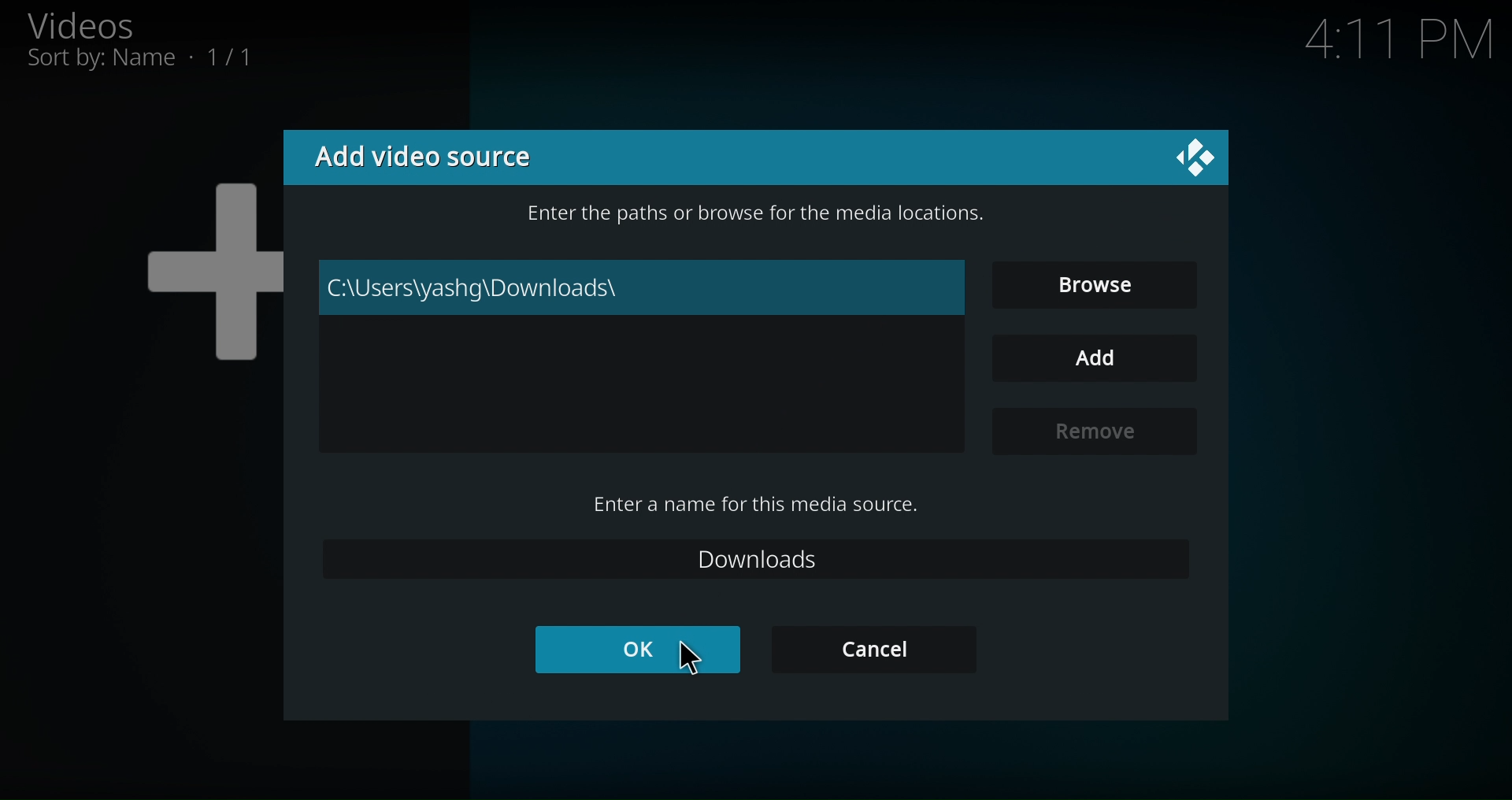 This screenshot has height=800, width=1512. Describe the element at coordinates (693, 657) in the screenshot. I see `Cursor` at that location.